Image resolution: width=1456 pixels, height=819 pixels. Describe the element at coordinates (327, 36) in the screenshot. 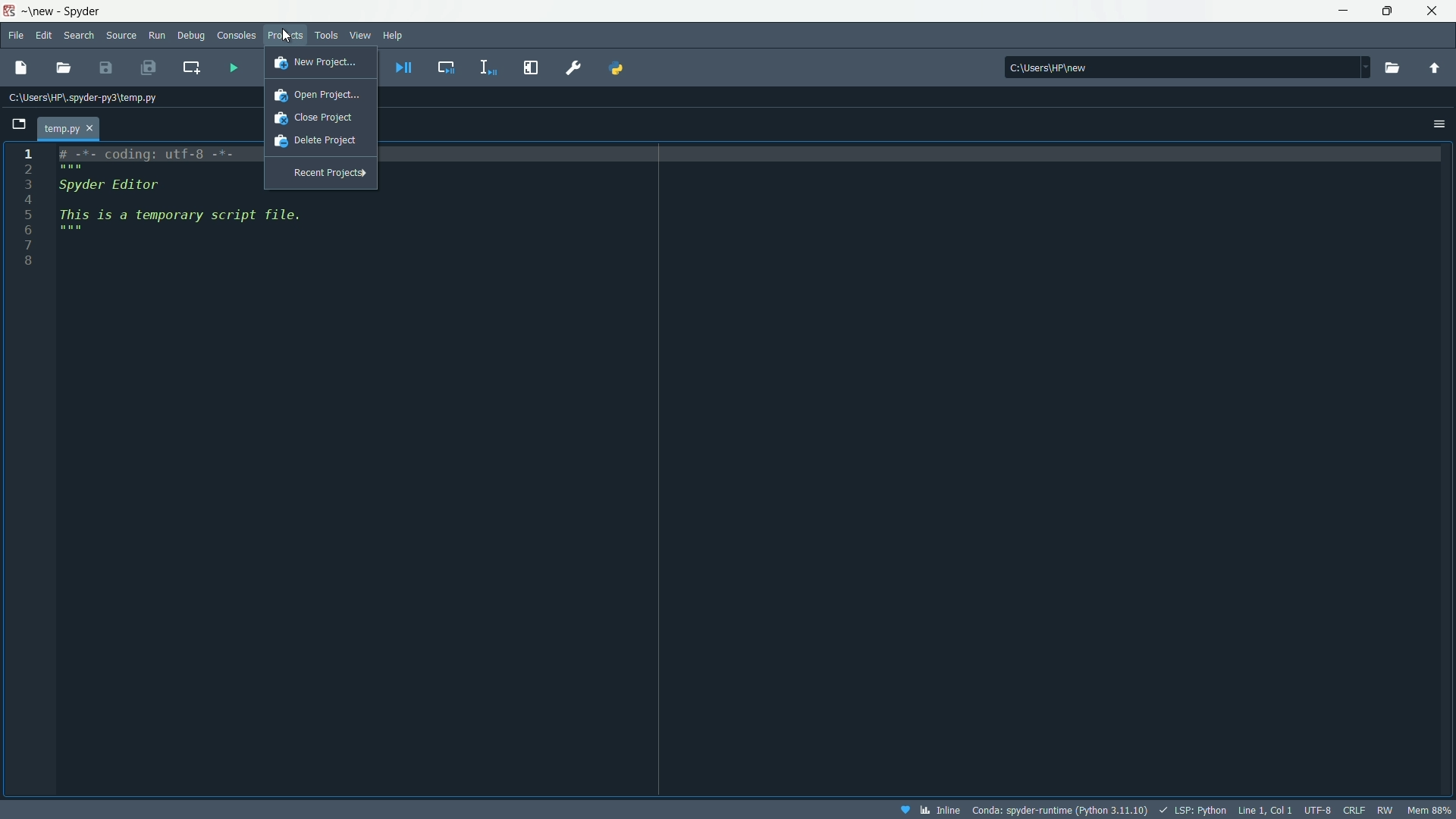

I see `Tools menu` at that location.